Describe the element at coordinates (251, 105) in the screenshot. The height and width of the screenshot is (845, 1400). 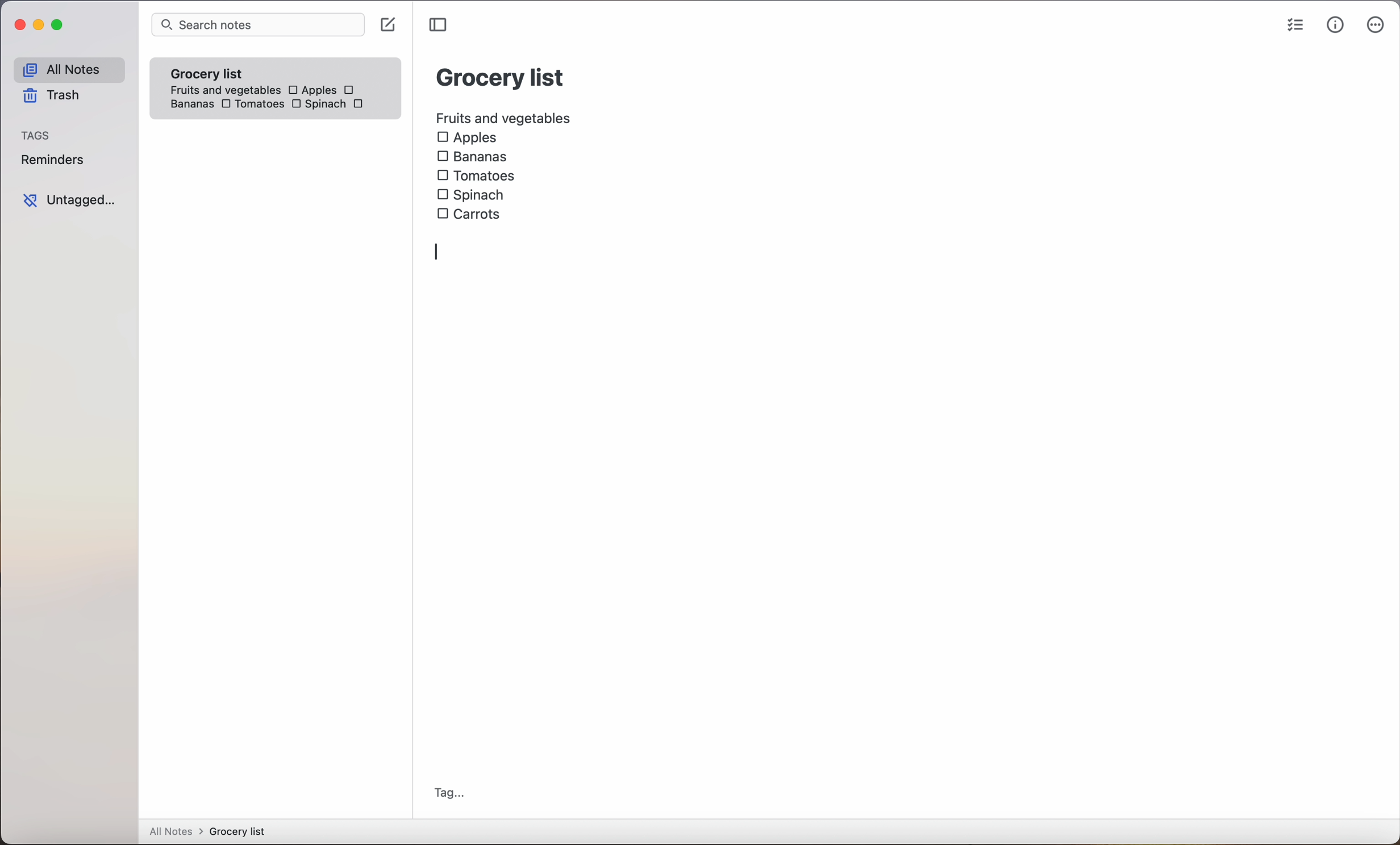
I see `Tomatoes checkbox` at that location.